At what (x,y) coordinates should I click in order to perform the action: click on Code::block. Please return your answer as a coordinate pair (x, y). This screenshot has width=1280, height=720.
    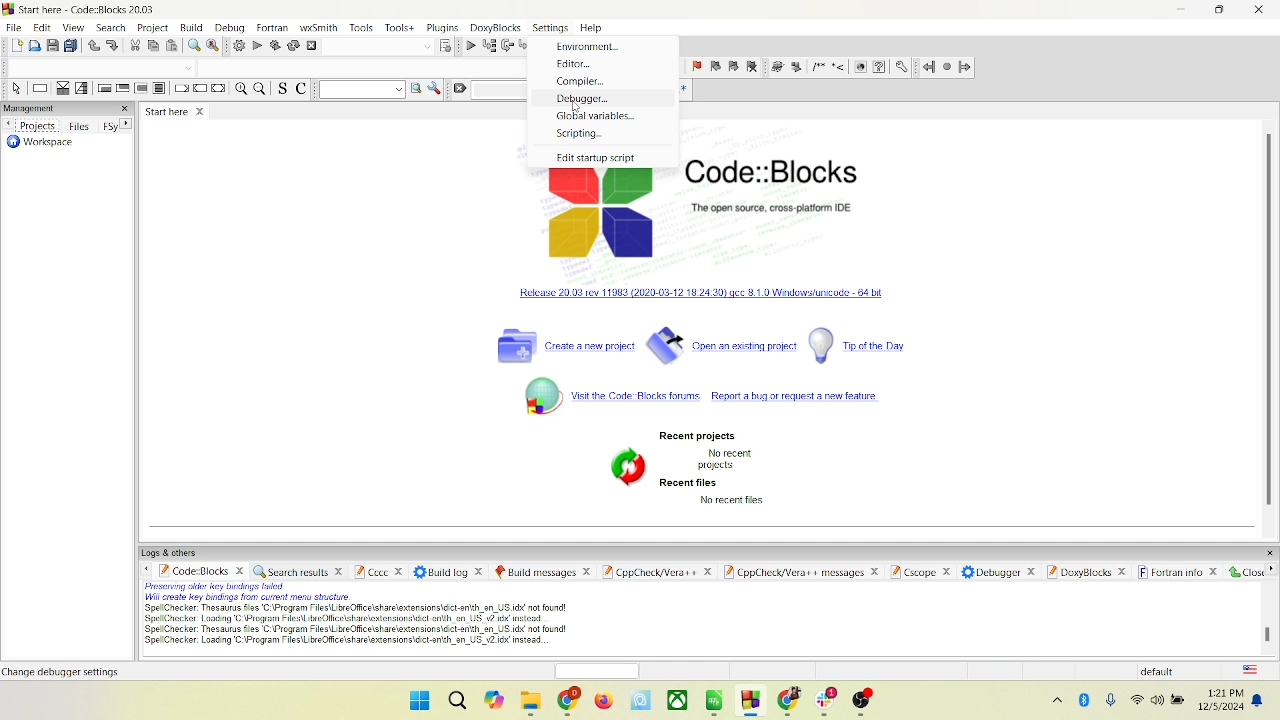
    Looking at the image, I should click on (769, 190).